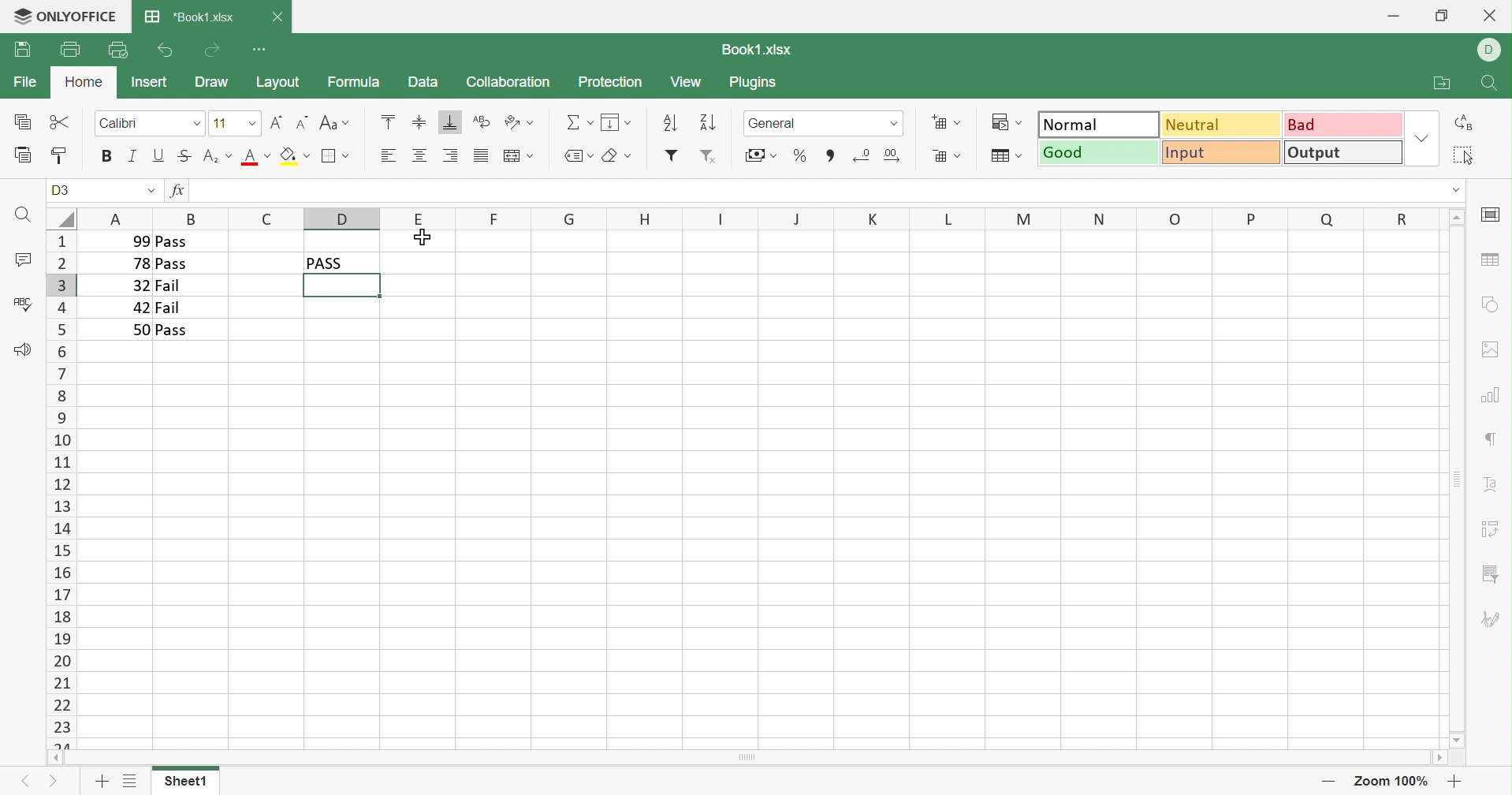 Image resolution: width=1512 pixels, height=795 pixels. What do you see at coordinates (669, 121) in the screenshot?
I see `Sort descending` at bounding box center [669, 121].